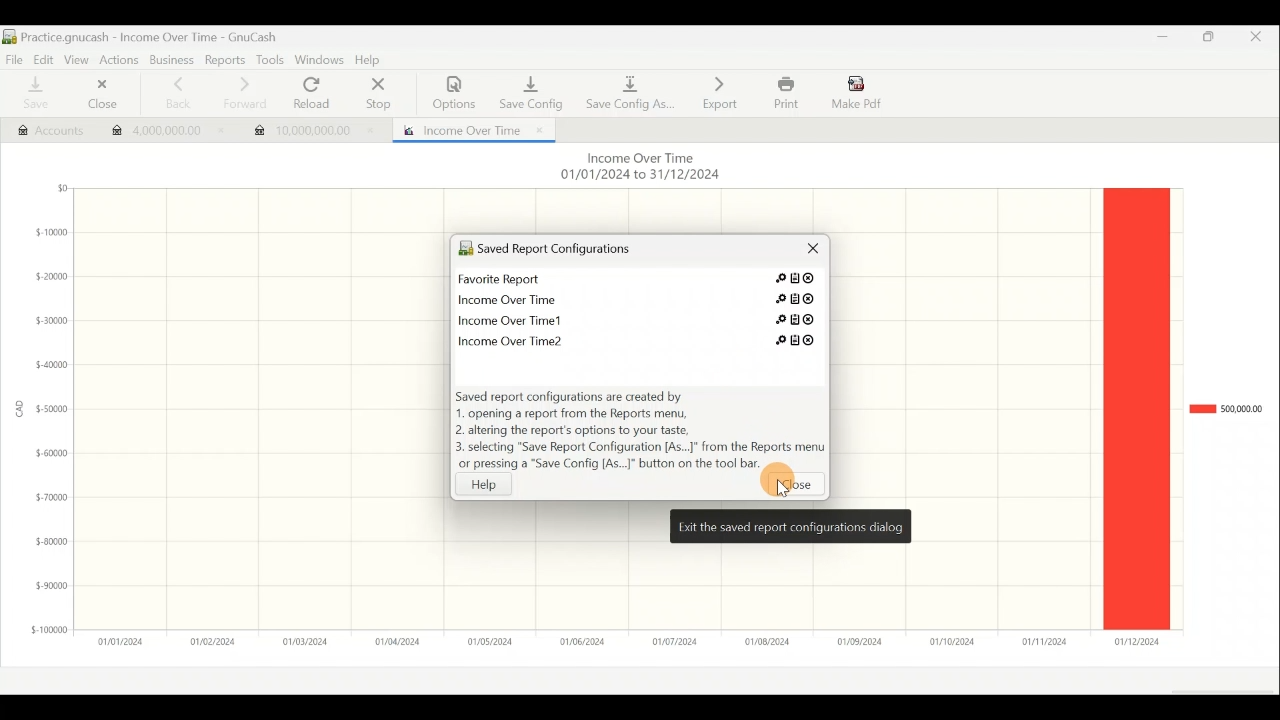 This screenshot has height=720, width=1280. Describe the element at coordinates (172, 61) in the screenshot. I see `Business` at that location.